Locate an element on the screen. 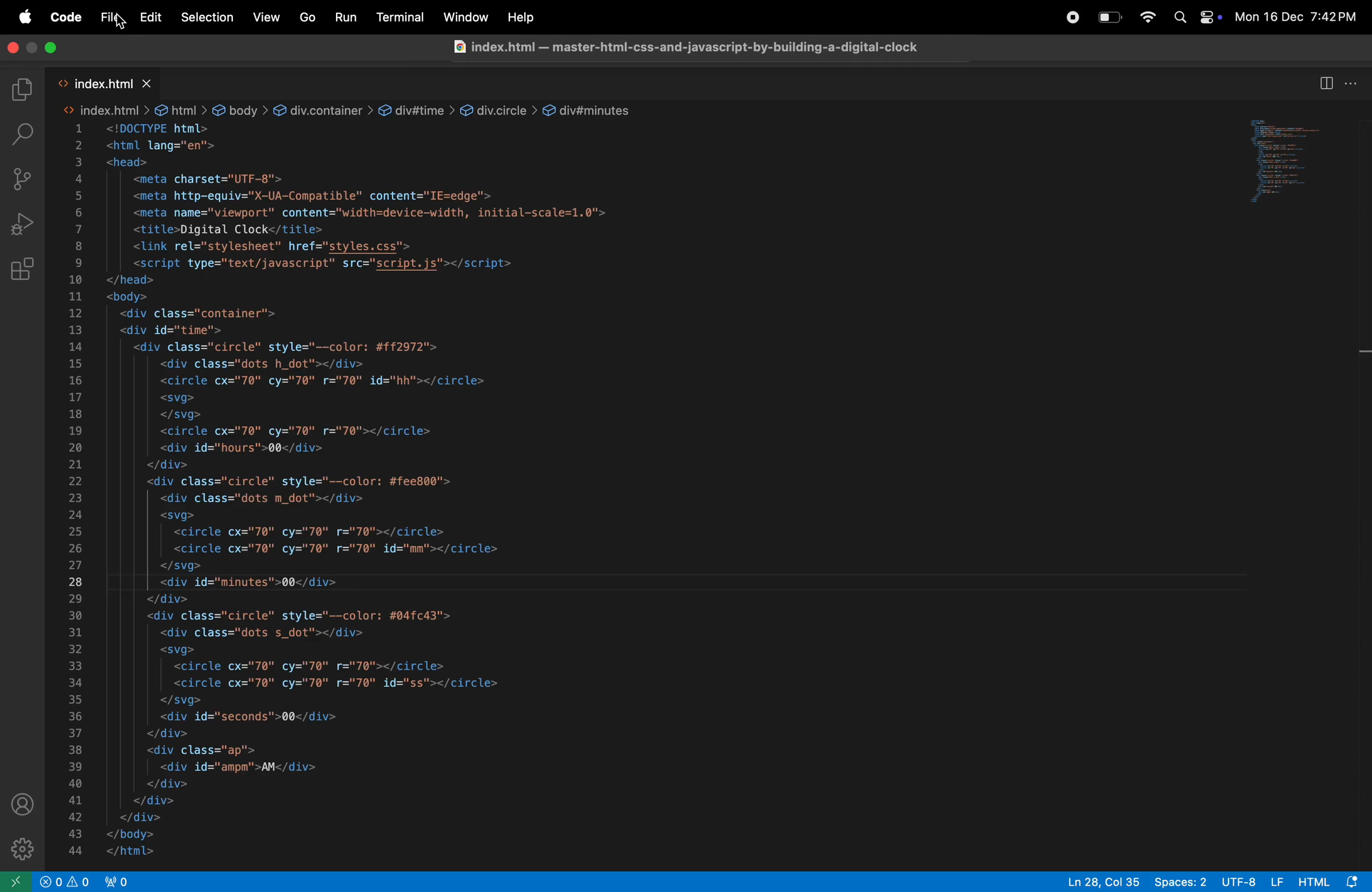  Line Number is located at coordinates (77, 493).